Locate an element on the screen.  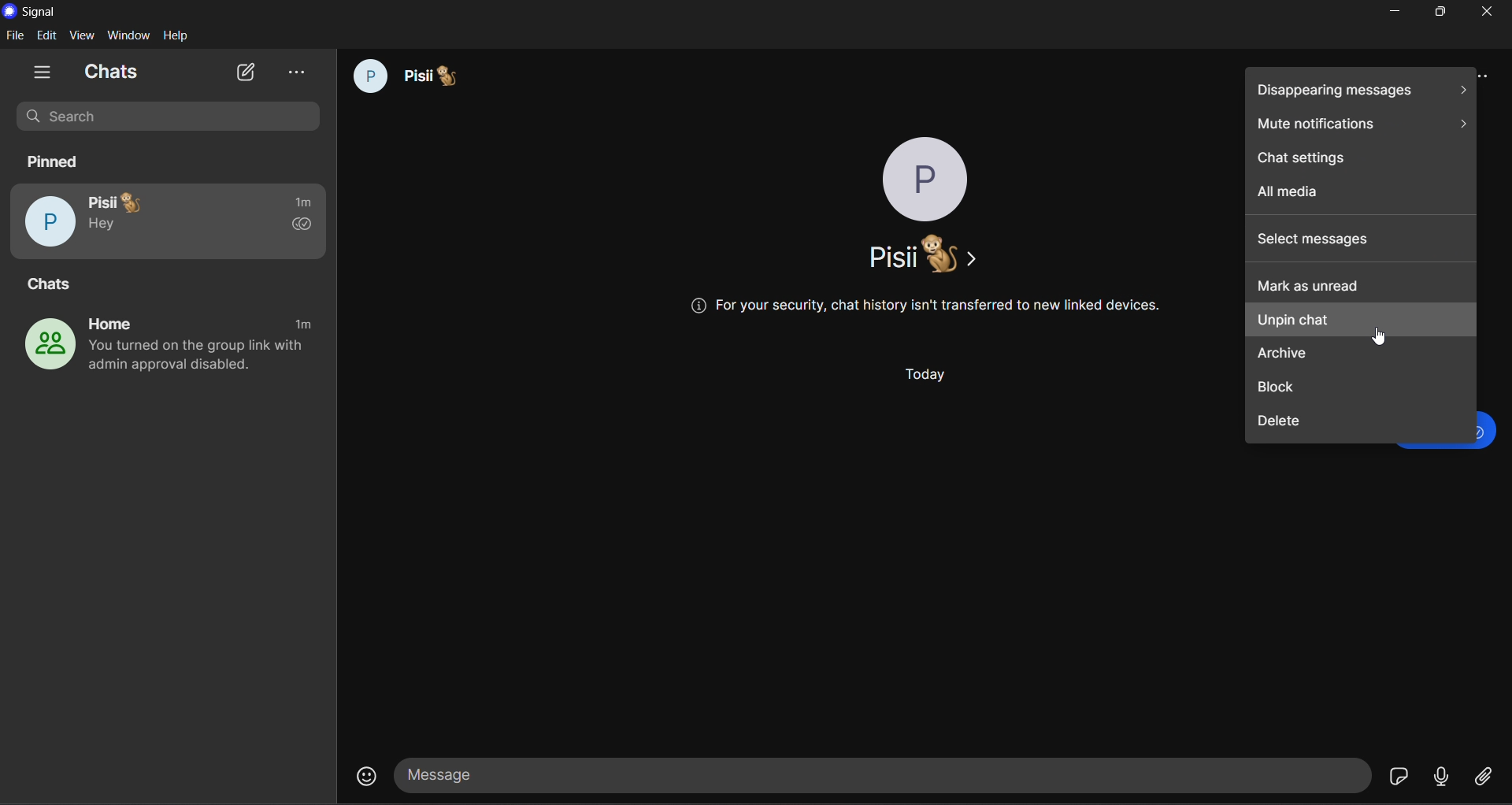
archive is located at coordinates (1359, 354).